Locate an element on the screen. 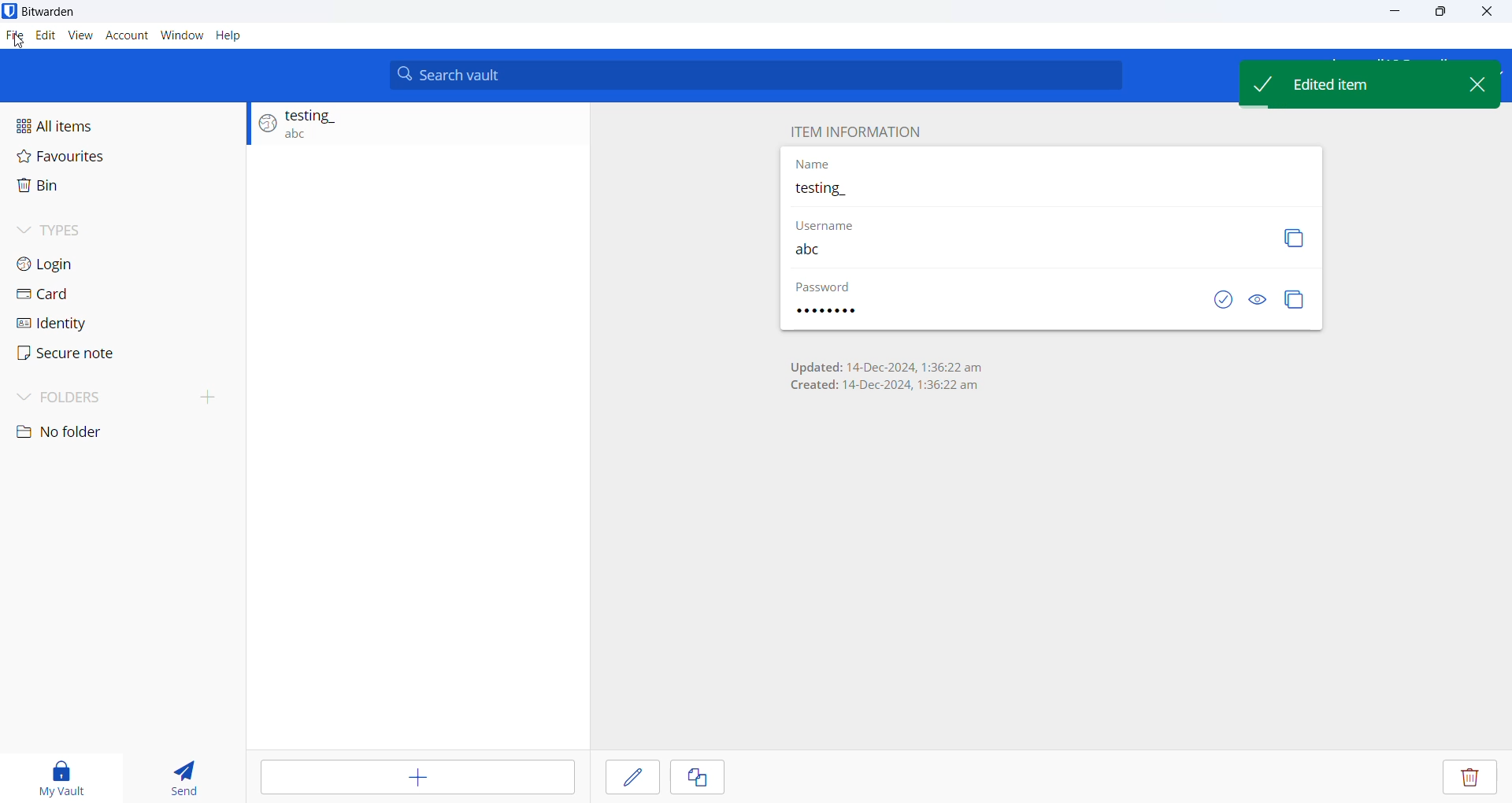 This screenshot has height=803, width=1512. Name heading is located at coordinates (814, 165).